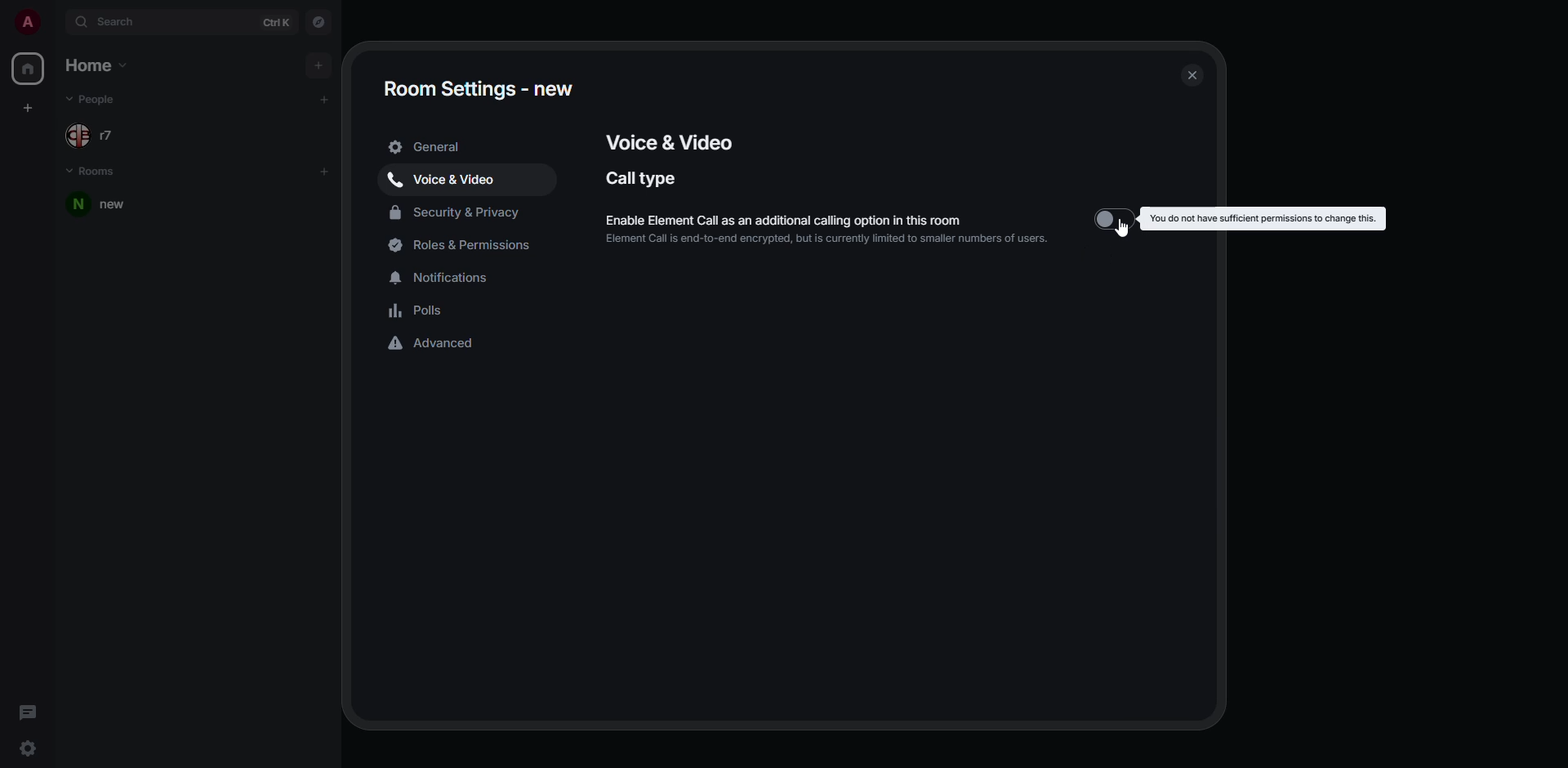  What do you see at coordinates (276, 23) in the screenshot?
I see `ctrl K` at bounding box center [276, 23].